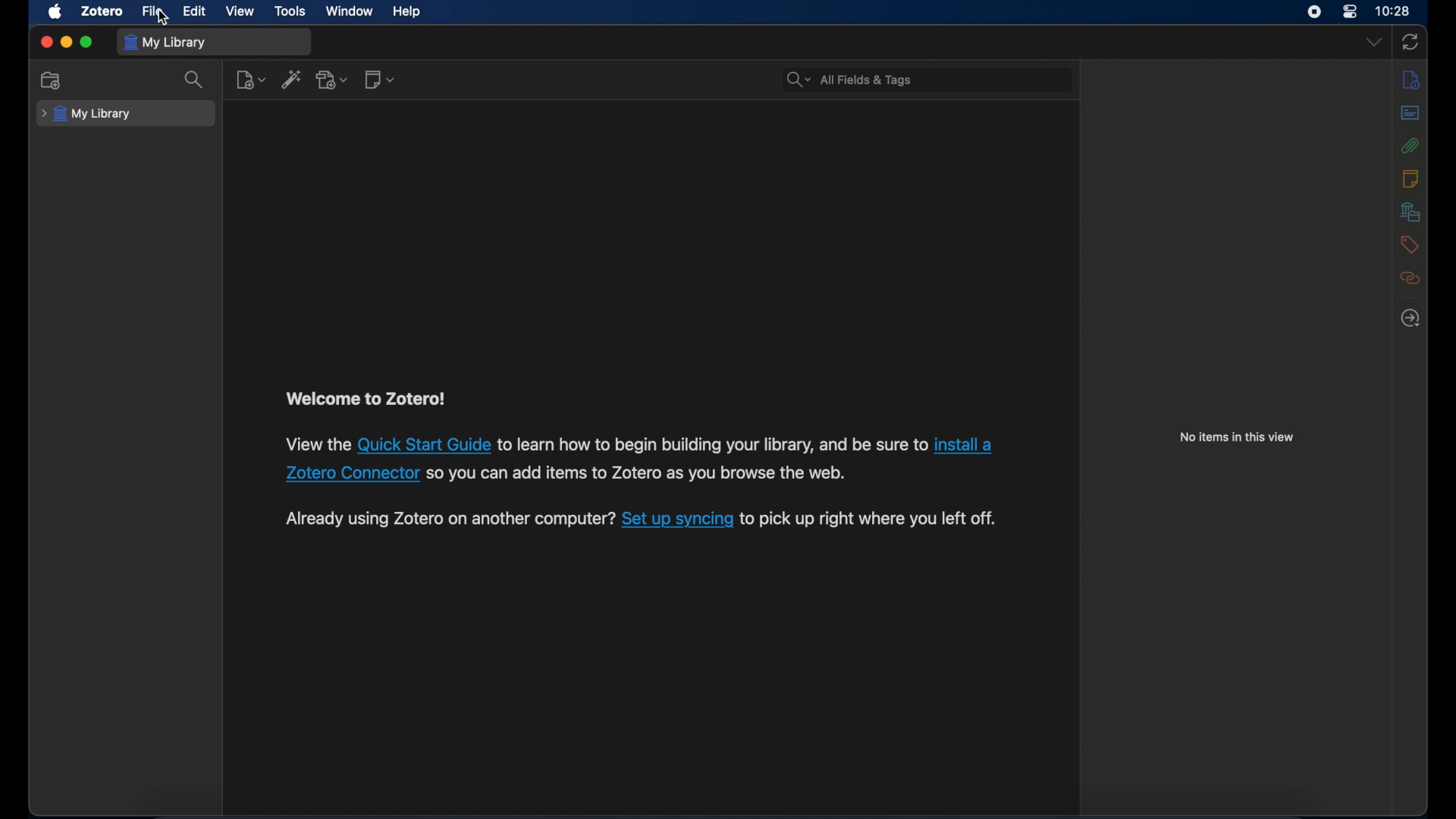  I want to click on apple, so click(55, 12).